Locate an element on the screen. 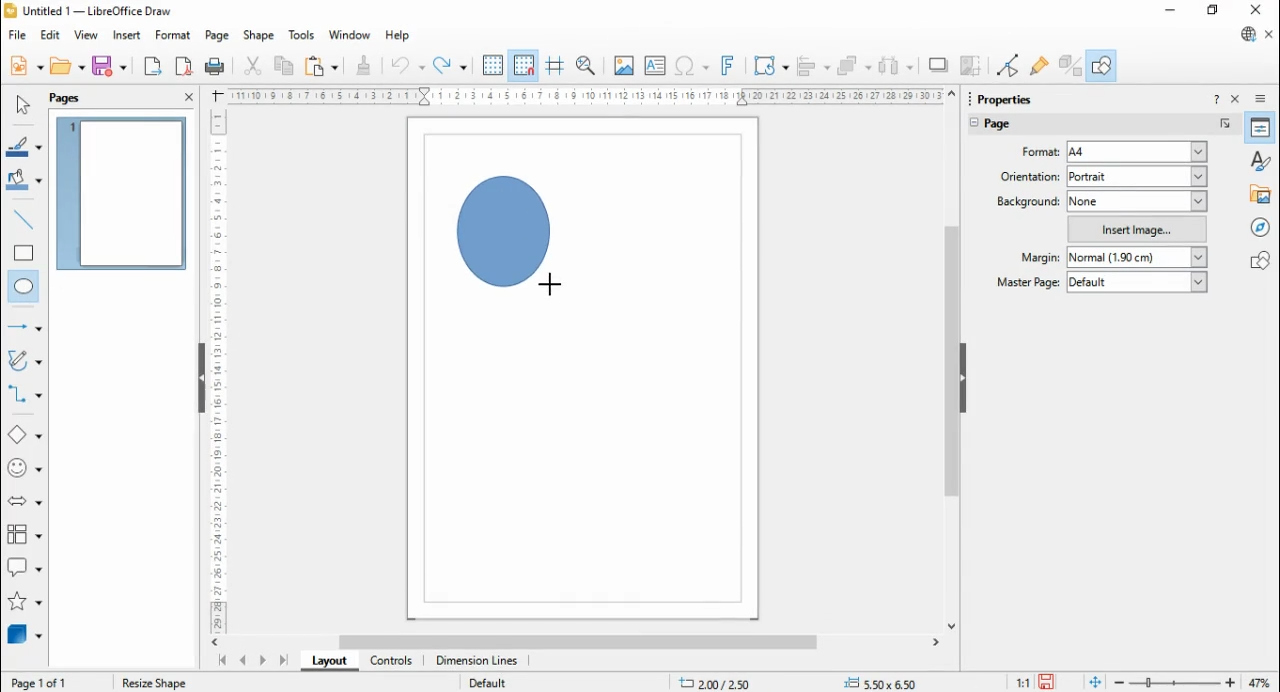 The height and width of the screenshot is (692, 1280). Page 10f 1 is located at coordinates (41, 682).